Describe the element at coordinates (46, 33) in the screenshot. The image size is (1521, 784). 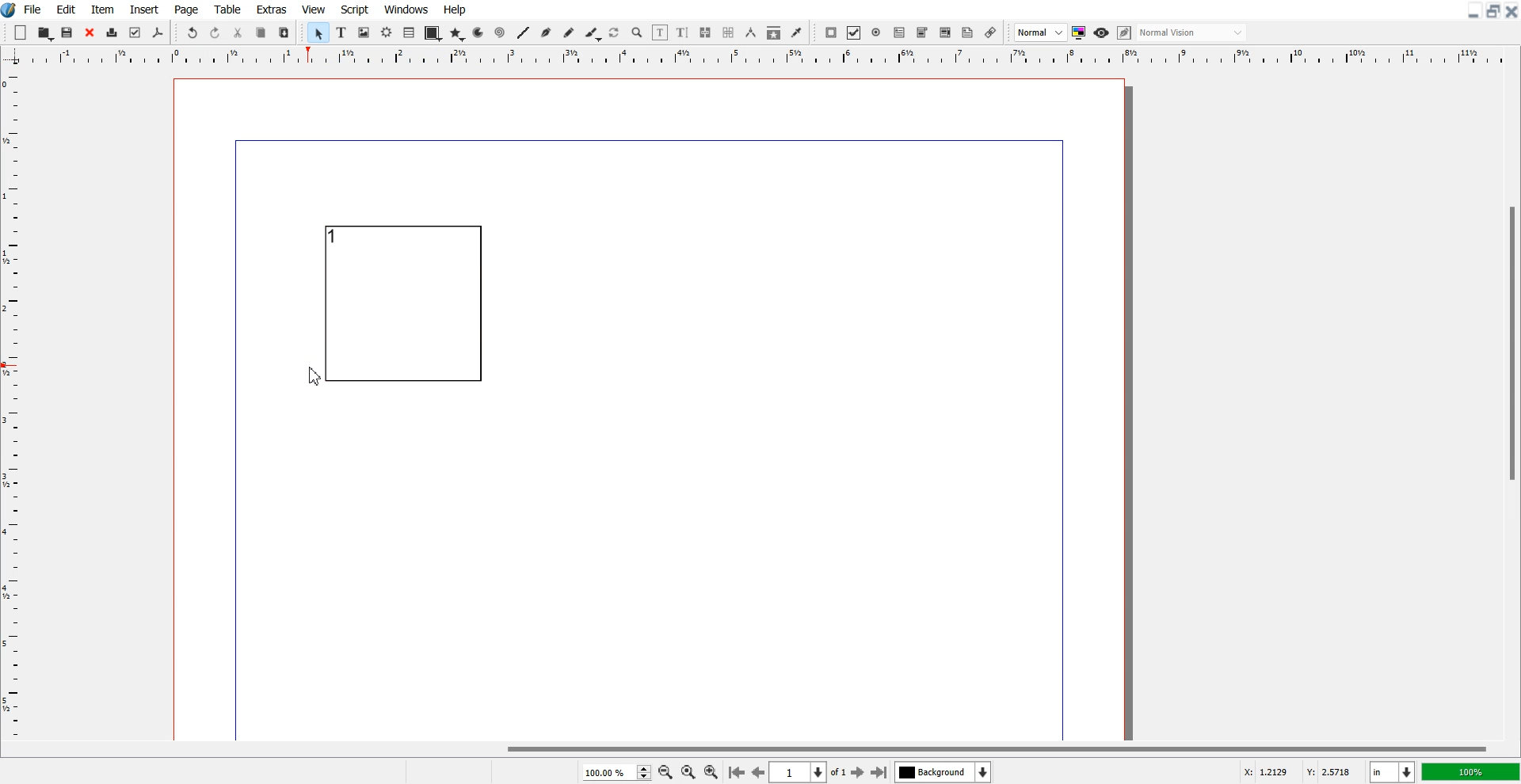
I see `Open` at that location.